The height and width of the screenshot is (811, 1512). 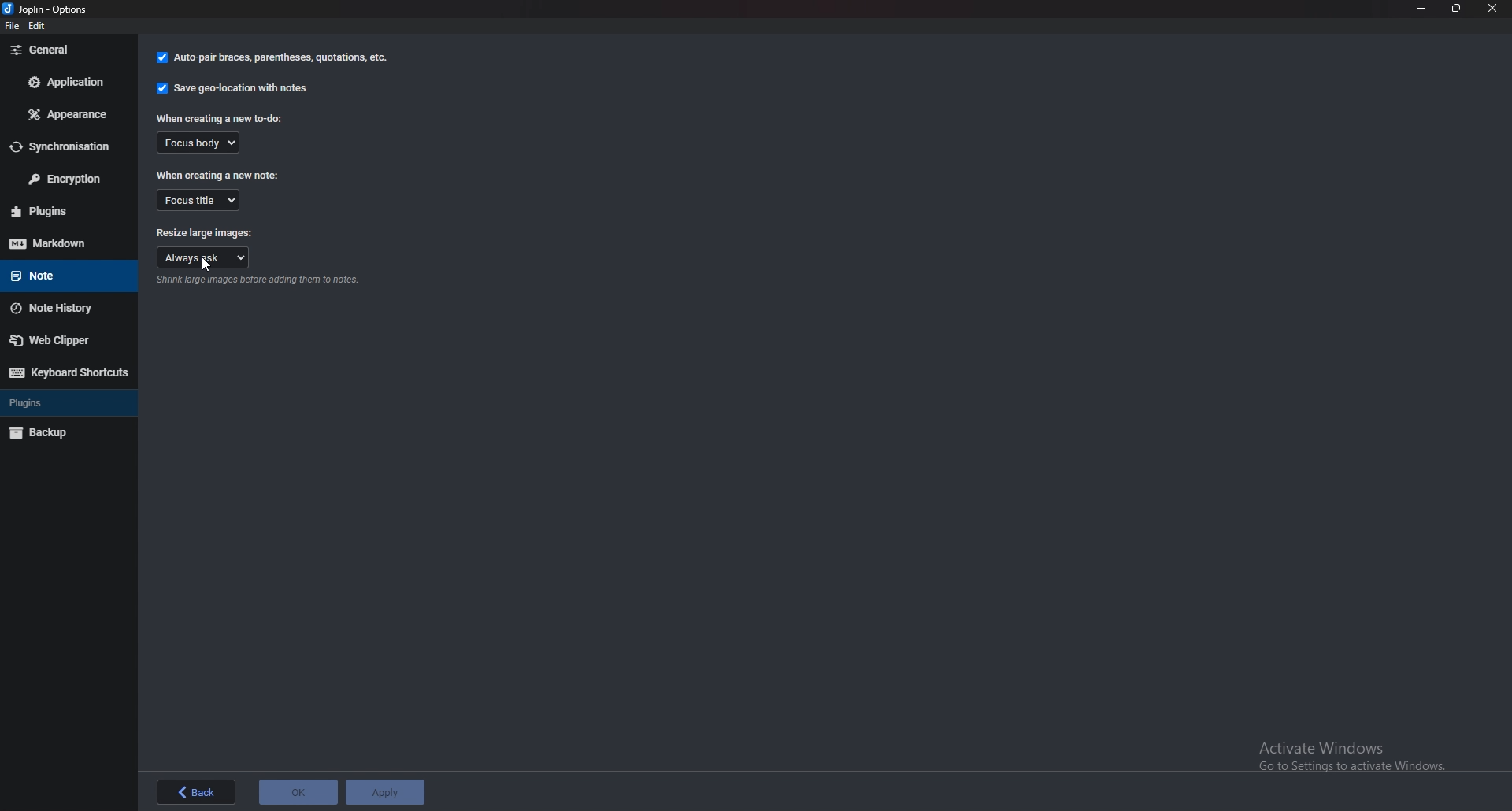 I want to click on Autopair braces parenthesis quotation, etc., so click(x=272, y=59).